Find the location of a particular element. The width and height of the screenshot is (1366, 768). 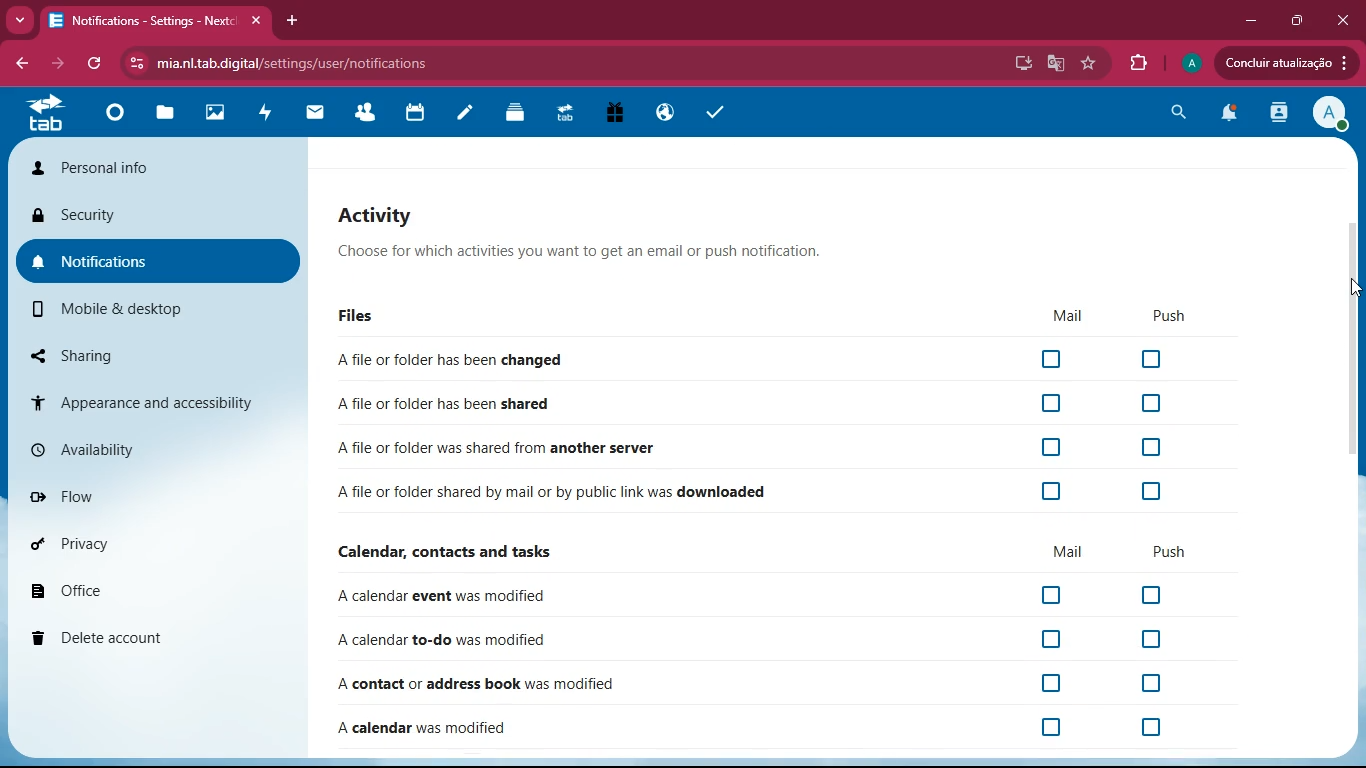

gift is located at coordinates (616, 114).